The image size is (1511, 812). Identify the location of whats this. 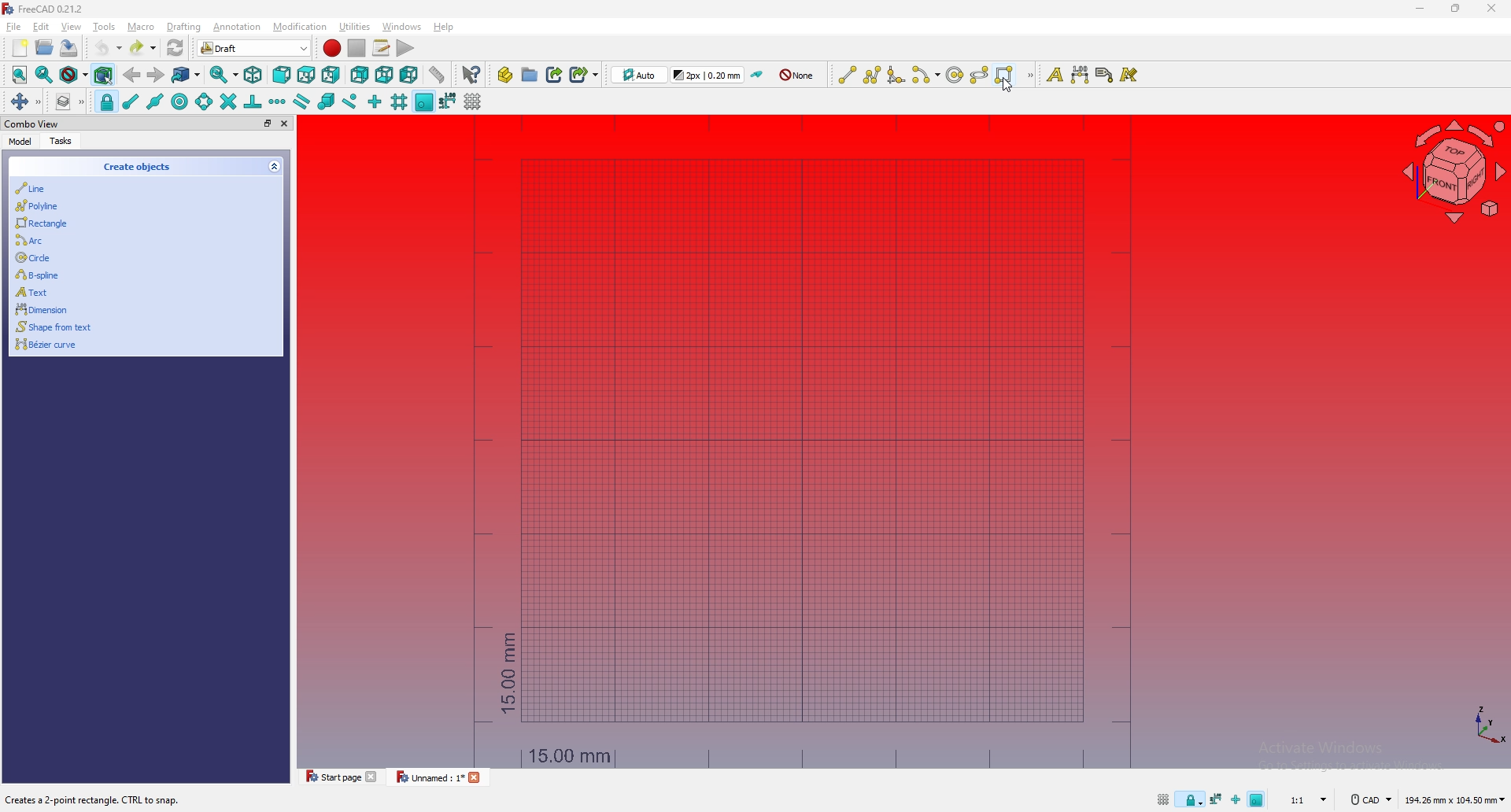
(471, 75).